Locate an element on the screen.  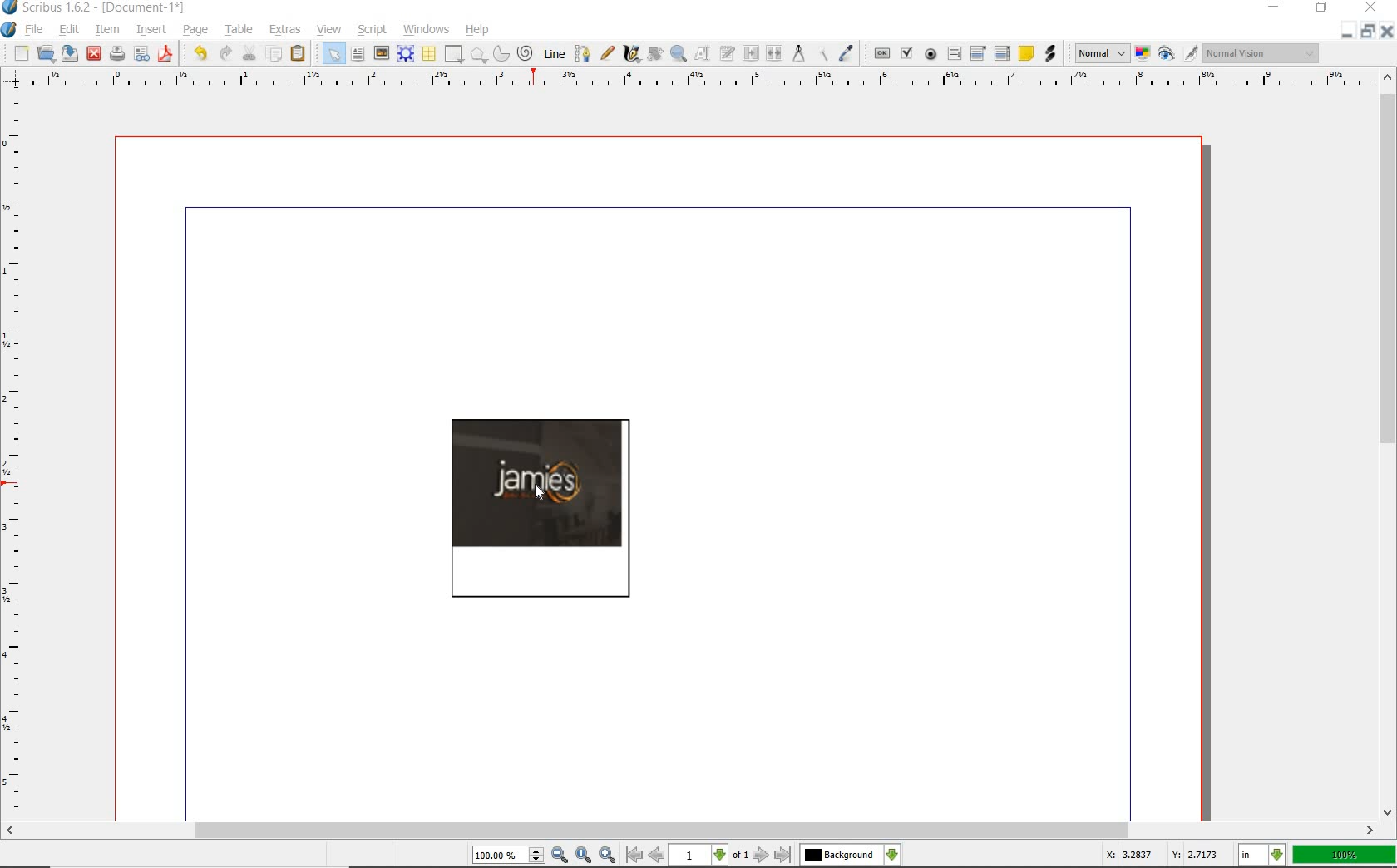
calligraphic line is located at coordinates (634, 55).